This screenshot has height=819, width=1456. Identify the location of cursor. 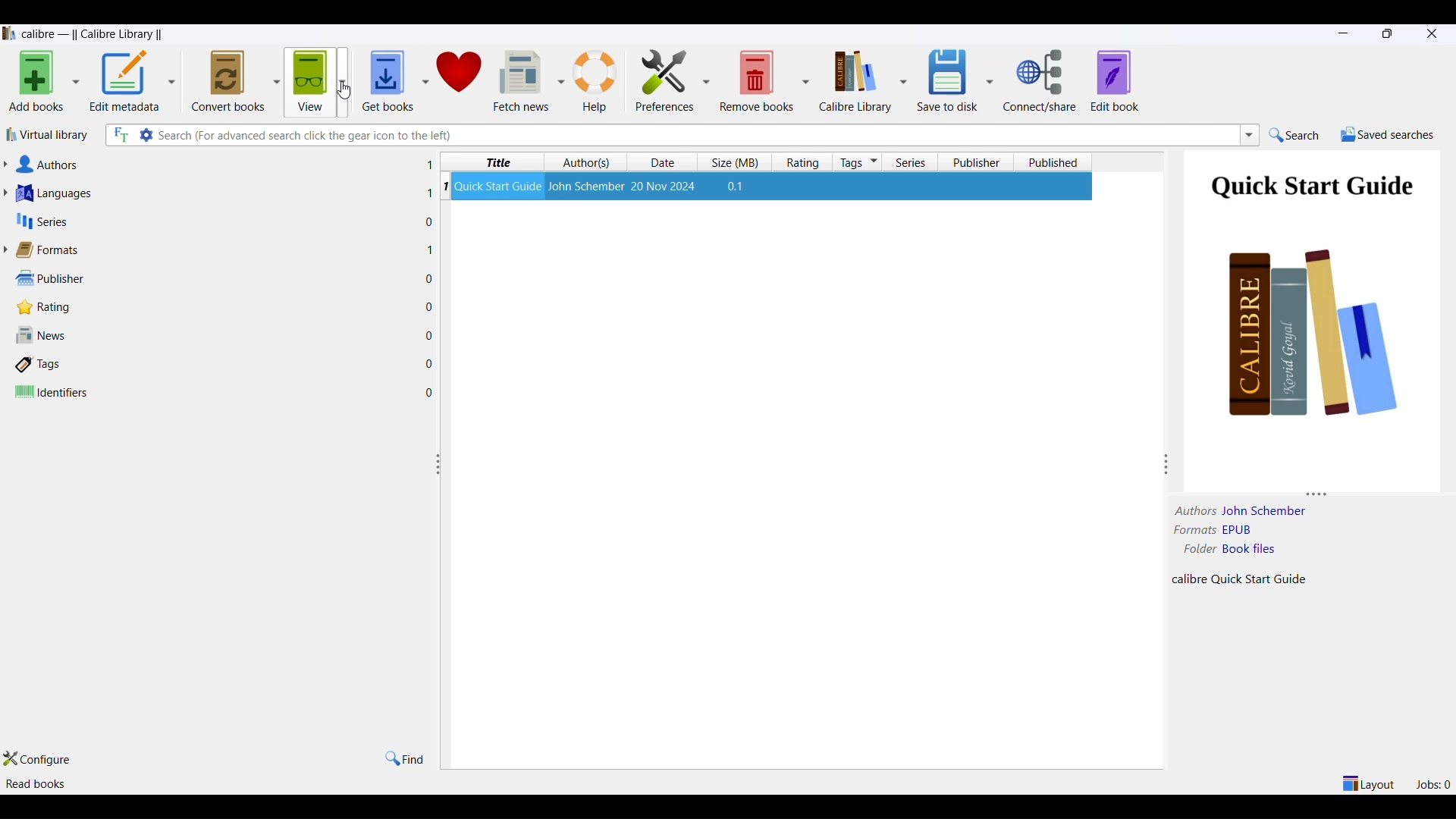
(345, 89).